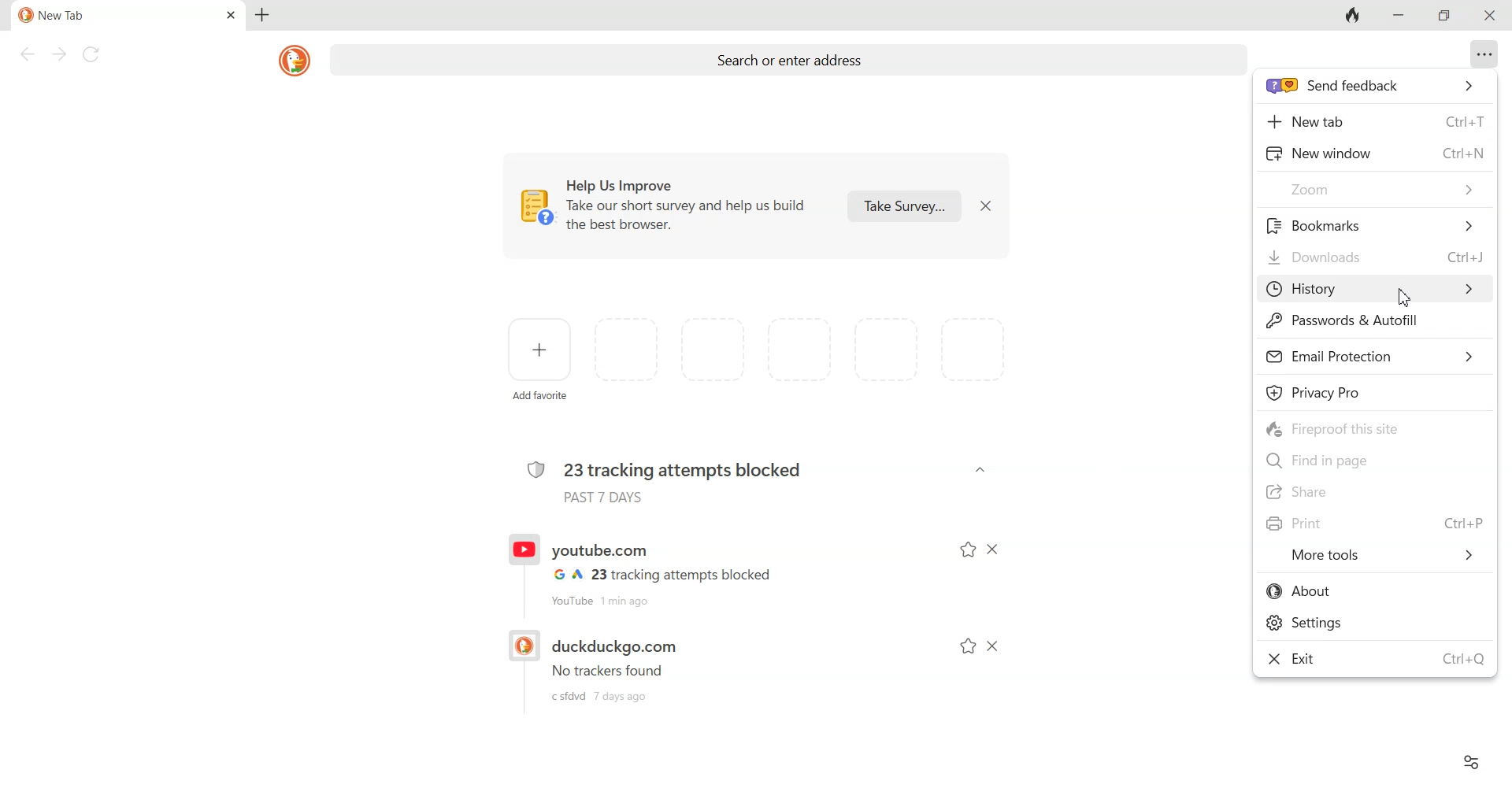  What do you see at coordinates (1374, 355) in the screenshot?
I see `Email Protection` at bounding box center [1374, 355].